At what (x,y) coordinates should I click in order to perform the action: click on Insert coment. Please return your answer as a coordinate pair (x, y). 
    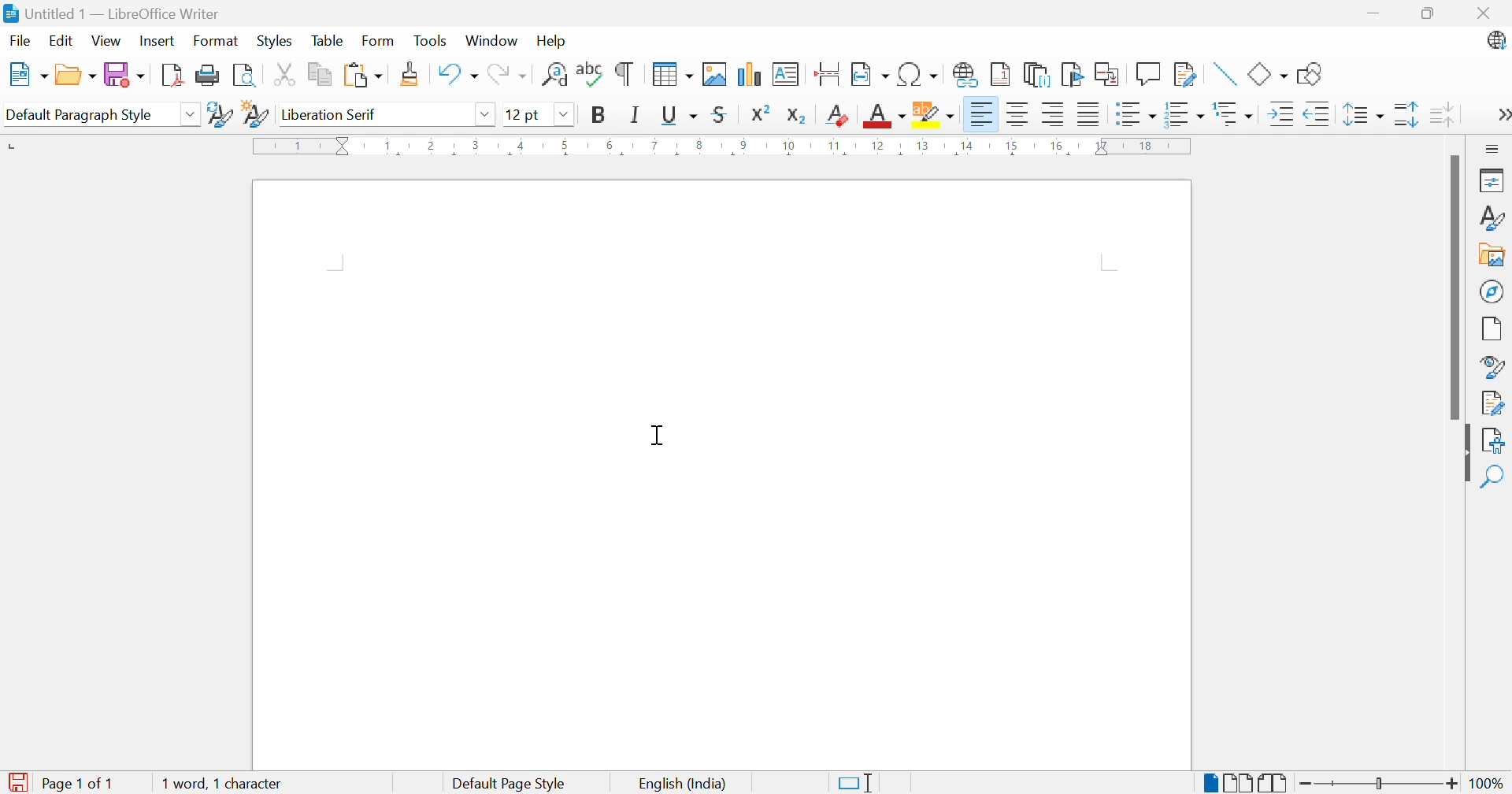
    Looking at the image, I should click on (1149, 73).